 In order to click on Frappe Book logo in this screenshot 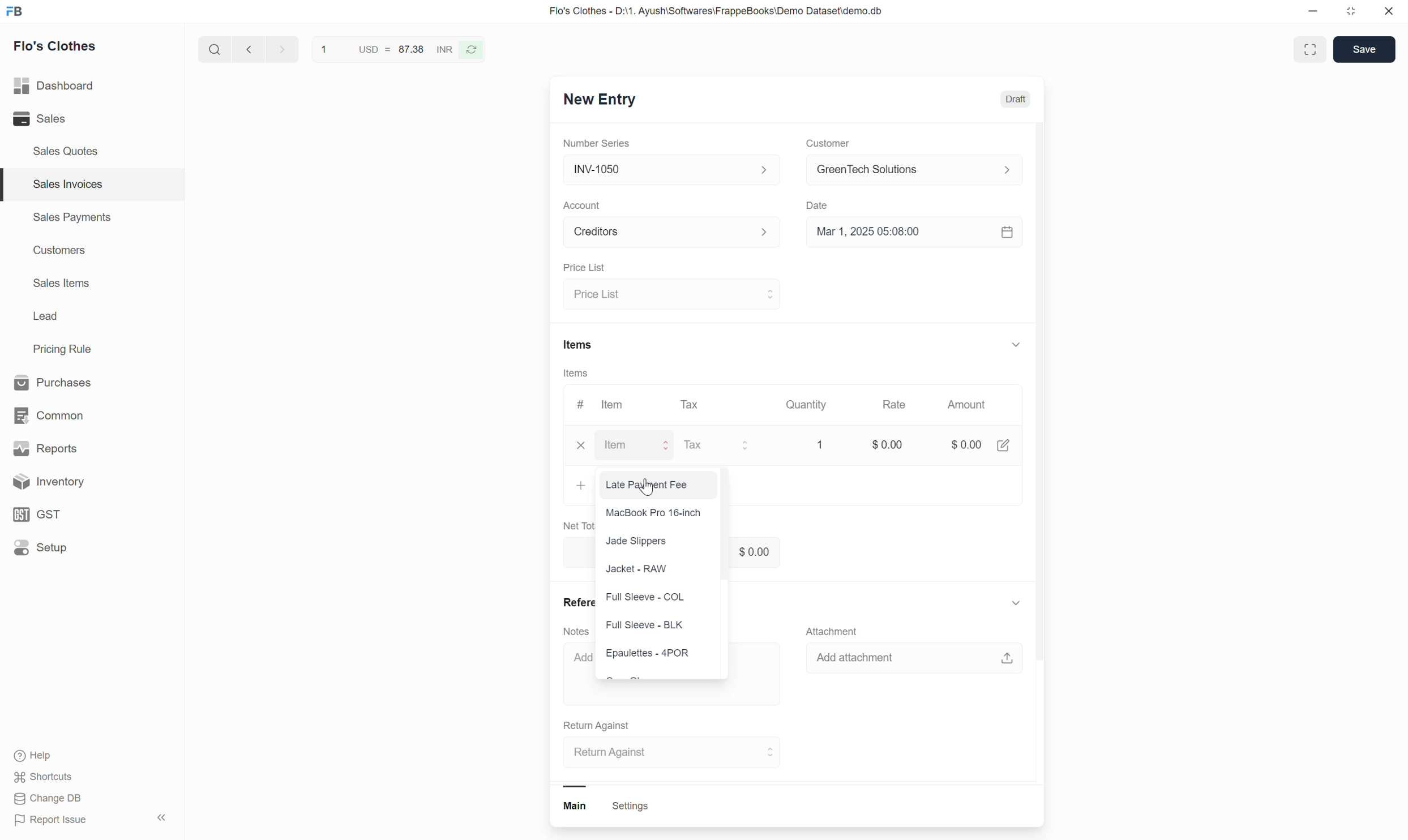, I will do `click(18, 12)`.